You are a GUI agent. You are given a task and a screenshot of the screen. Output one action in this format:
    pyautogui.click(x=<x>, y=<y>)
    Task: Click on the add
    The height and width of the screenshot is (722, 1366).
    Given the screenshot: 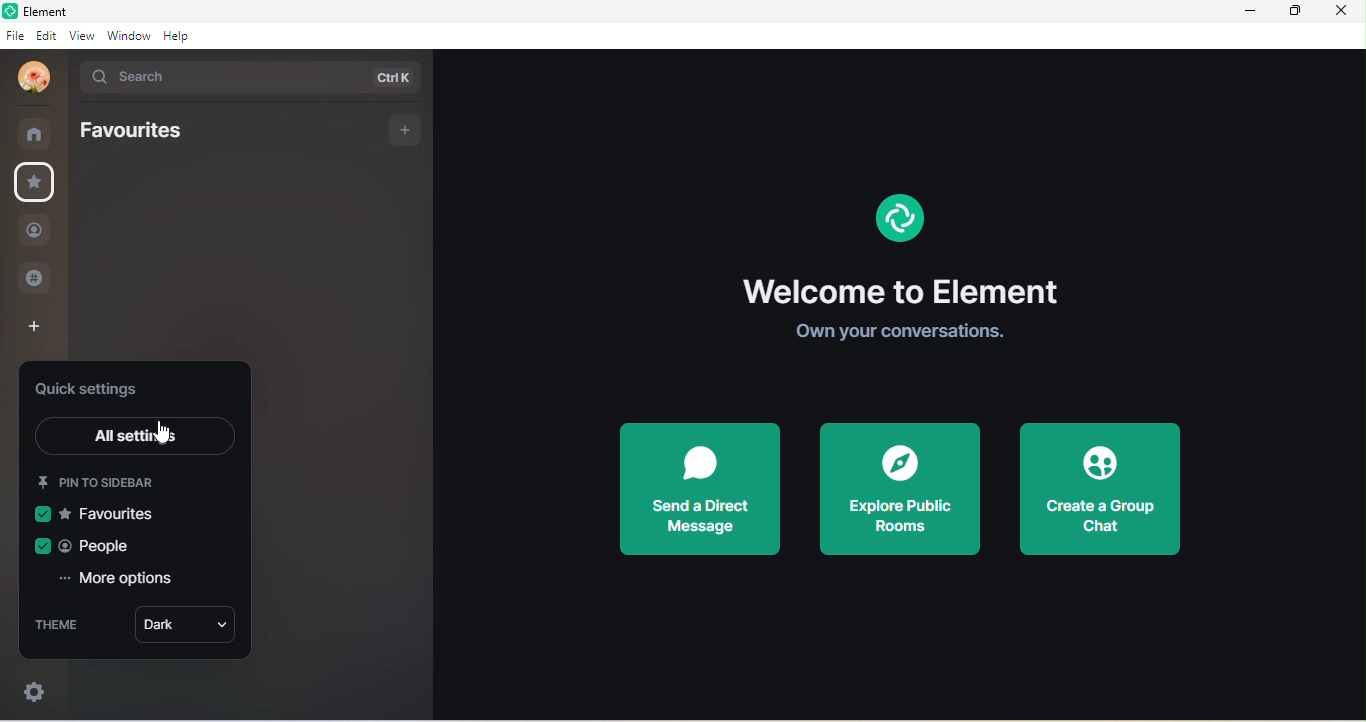 What is the action you would take?
    pyautogui.click(x=407, y=128)
    